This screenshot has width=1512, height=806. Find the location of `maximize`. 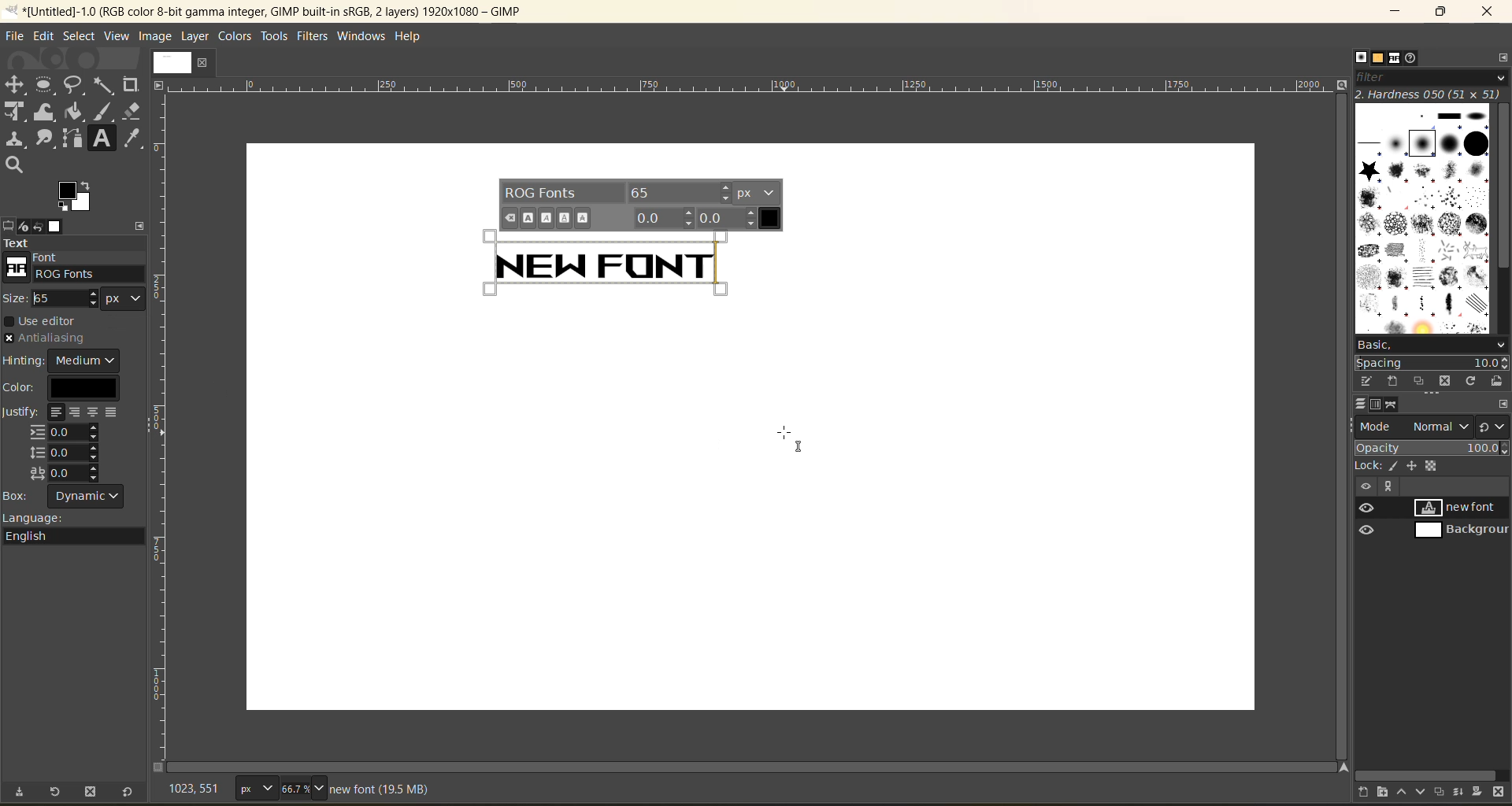

maximize is located at coordinates (1440, 14).